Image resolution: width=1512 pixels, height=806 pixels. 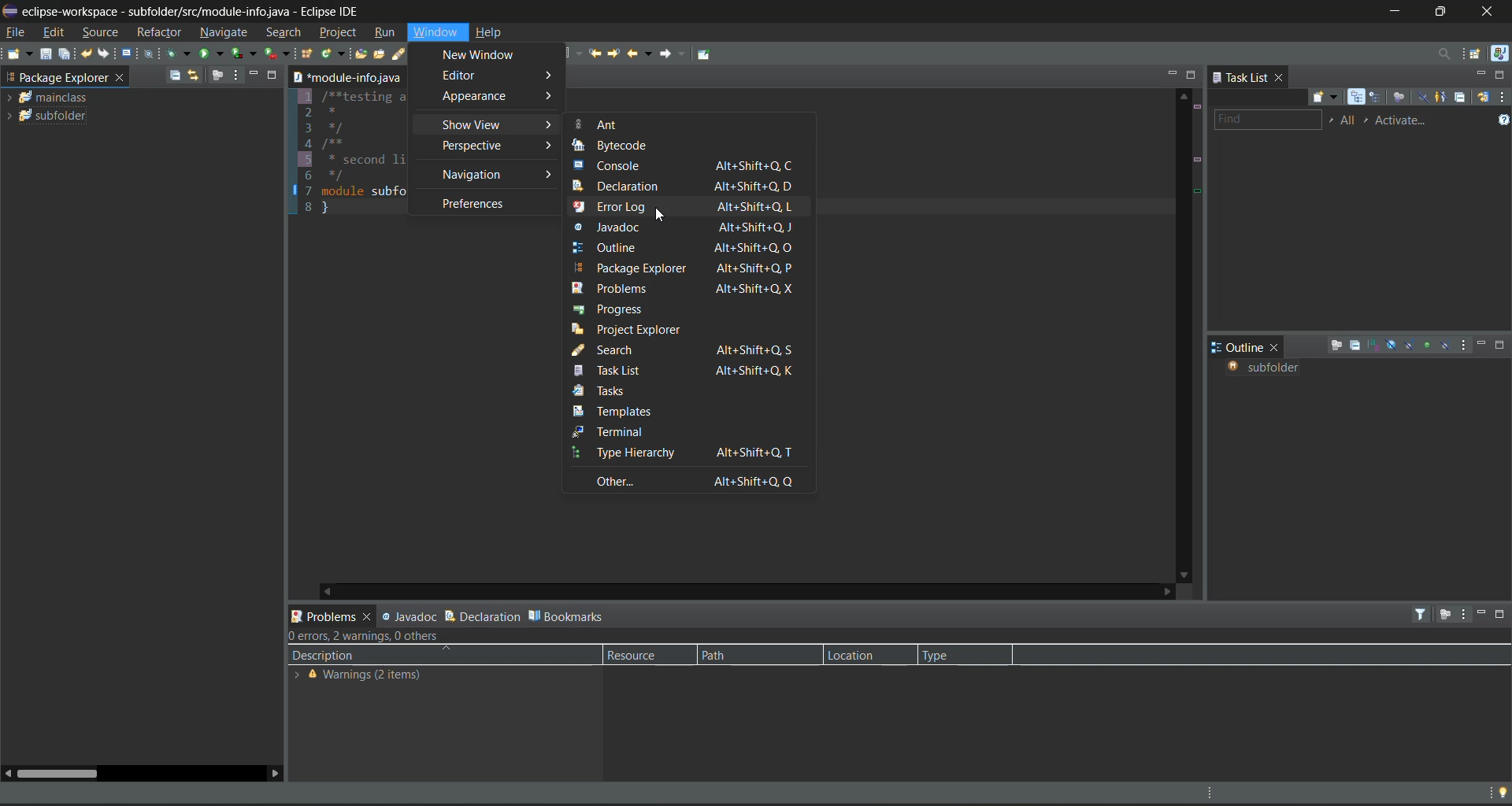 I want to click on other, so click(x=695, y=481).